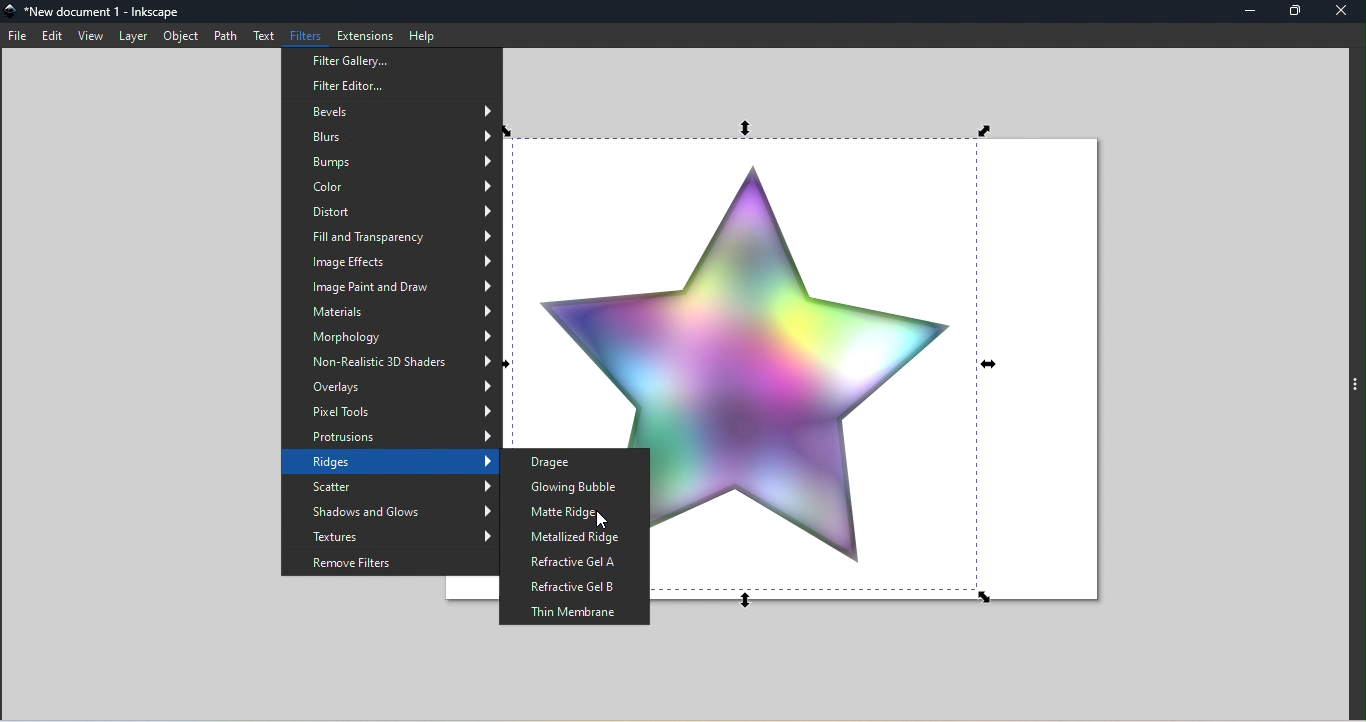 The image size is (1366, 722). What do you see at coordinates (886, 369) in the screenshot?
I see `Canvas` at bounding box center [886, 369].